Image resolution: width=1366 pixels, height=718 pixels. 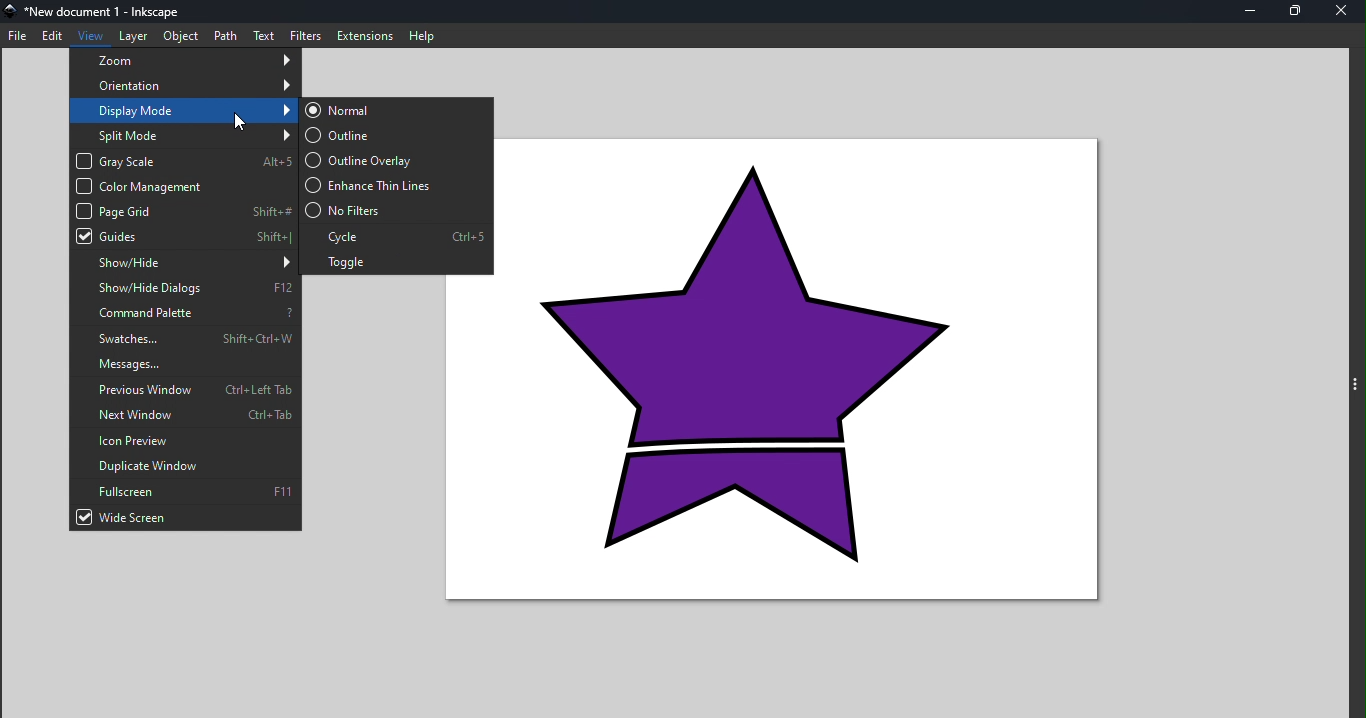 What do you see at coordinates (185, 366) in the screenshot?
I see `Messages` at bounding box center [185, 366].